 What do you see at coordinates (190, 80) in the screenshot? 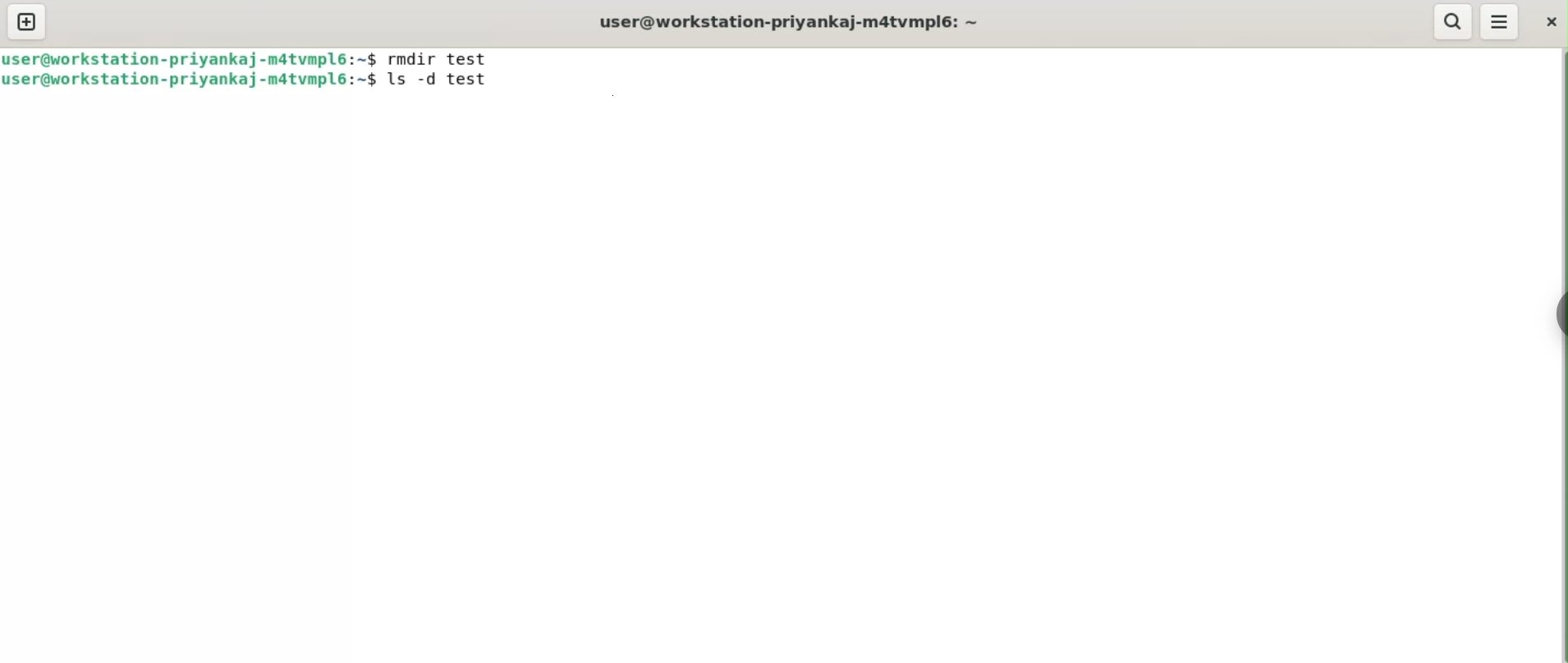
I see `user@workstation-priyankaj-m4tvmpl6: ~$` at bounding box center [190, 80].